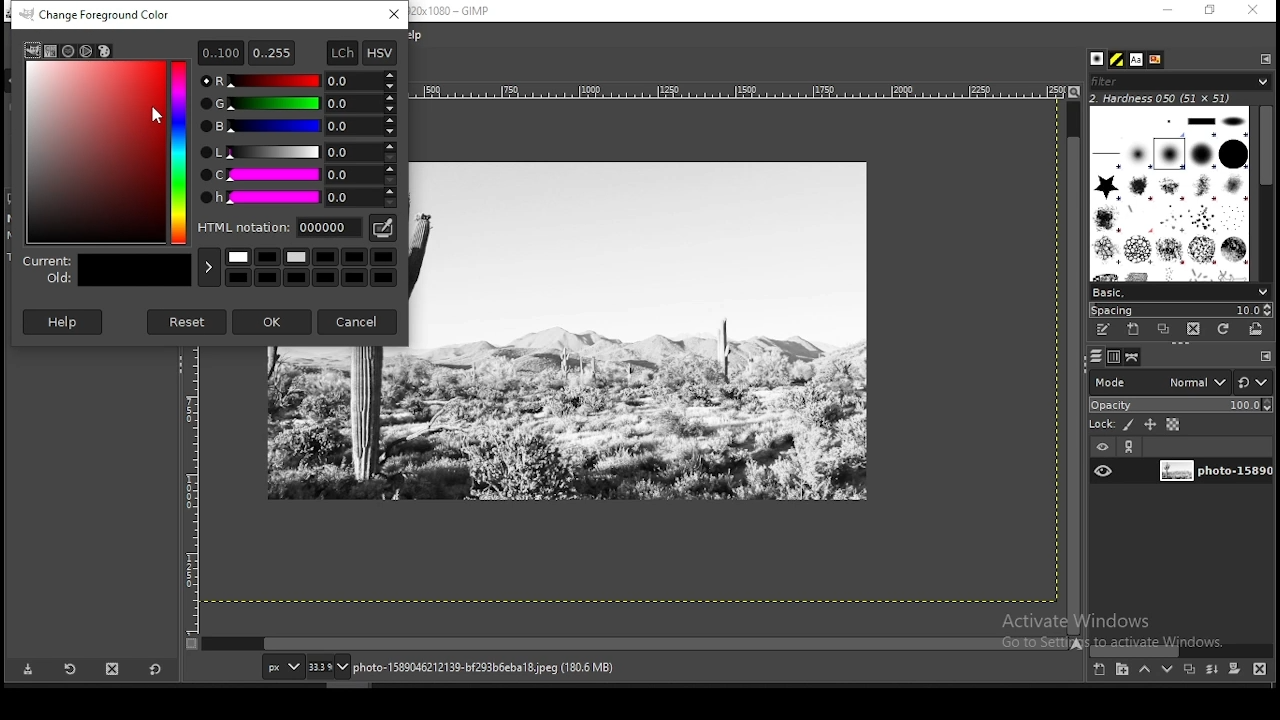  Describe the element at coordinates (1252, 383) in the screenshot. I see `switch to other modes` at that location.